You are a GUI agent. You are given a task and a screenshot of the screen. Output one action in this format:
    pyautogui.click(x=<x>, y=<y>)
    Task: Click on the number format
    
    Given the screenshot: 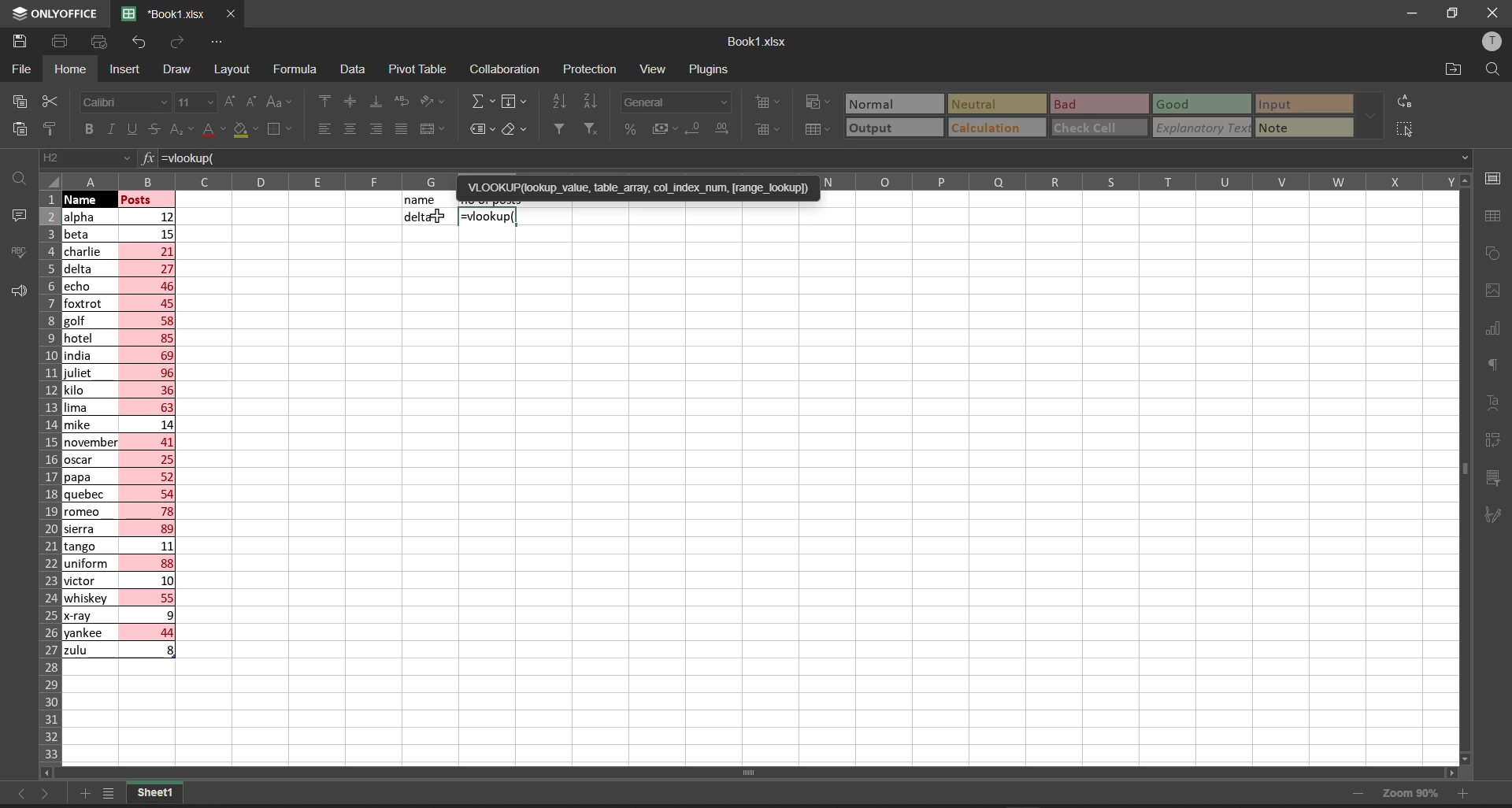 What is the action you would take?
    pyautogui.click(x=676, y=102)
    